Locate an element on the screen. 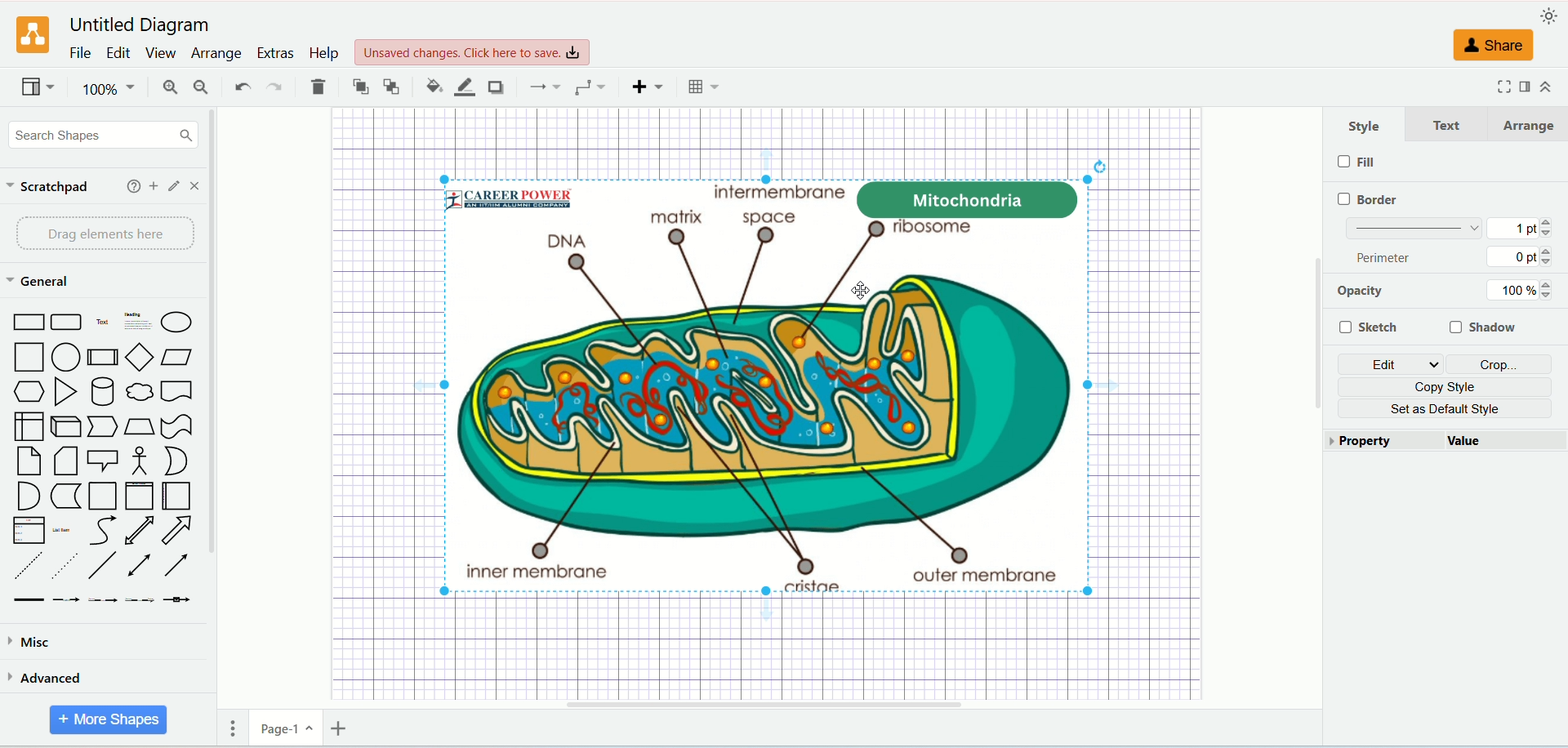 This screenshot has height=748, width=1568. delete is located at coordinates (318, 88).